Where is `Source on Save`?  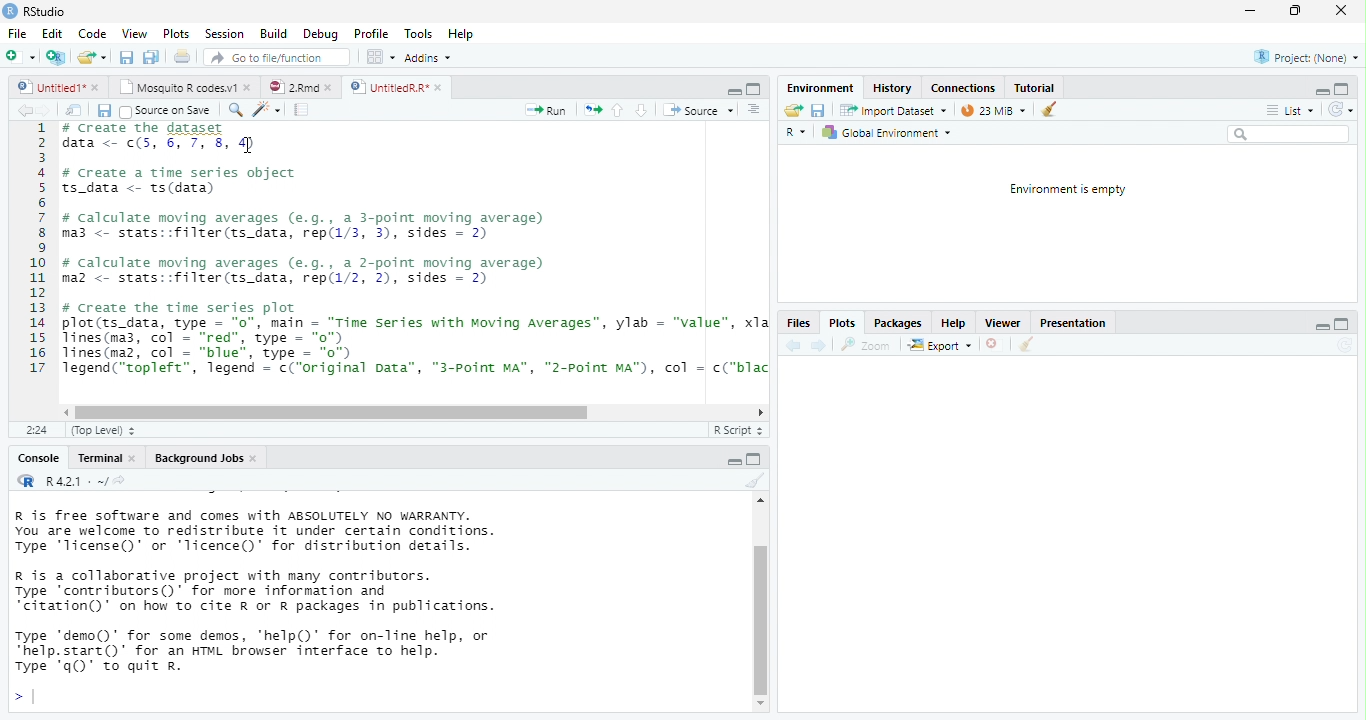
Source on Save is located at coordinates (164, 111).